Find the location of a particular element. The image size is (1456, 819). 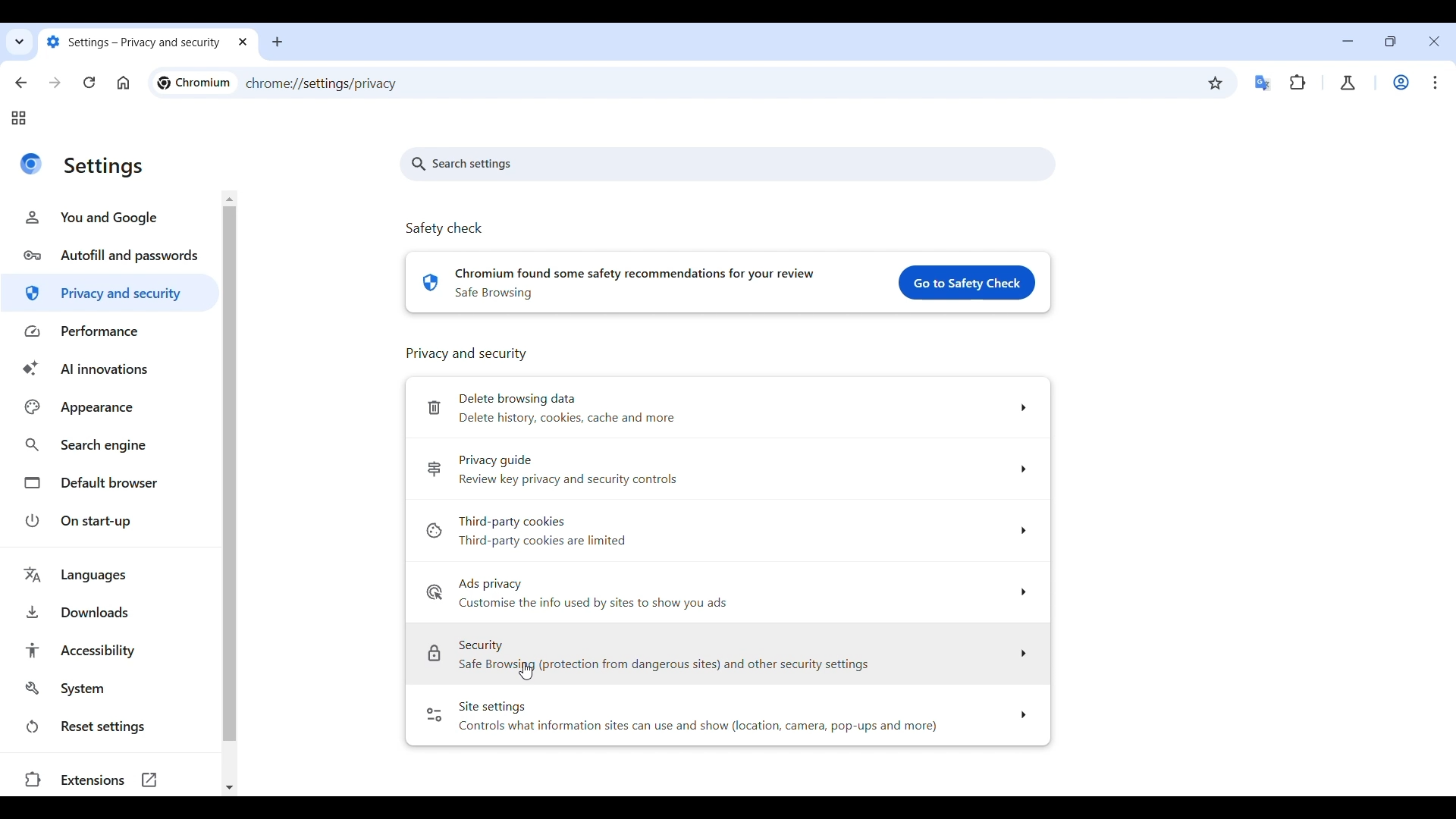

Safety check is located at coordinates (454, 228).